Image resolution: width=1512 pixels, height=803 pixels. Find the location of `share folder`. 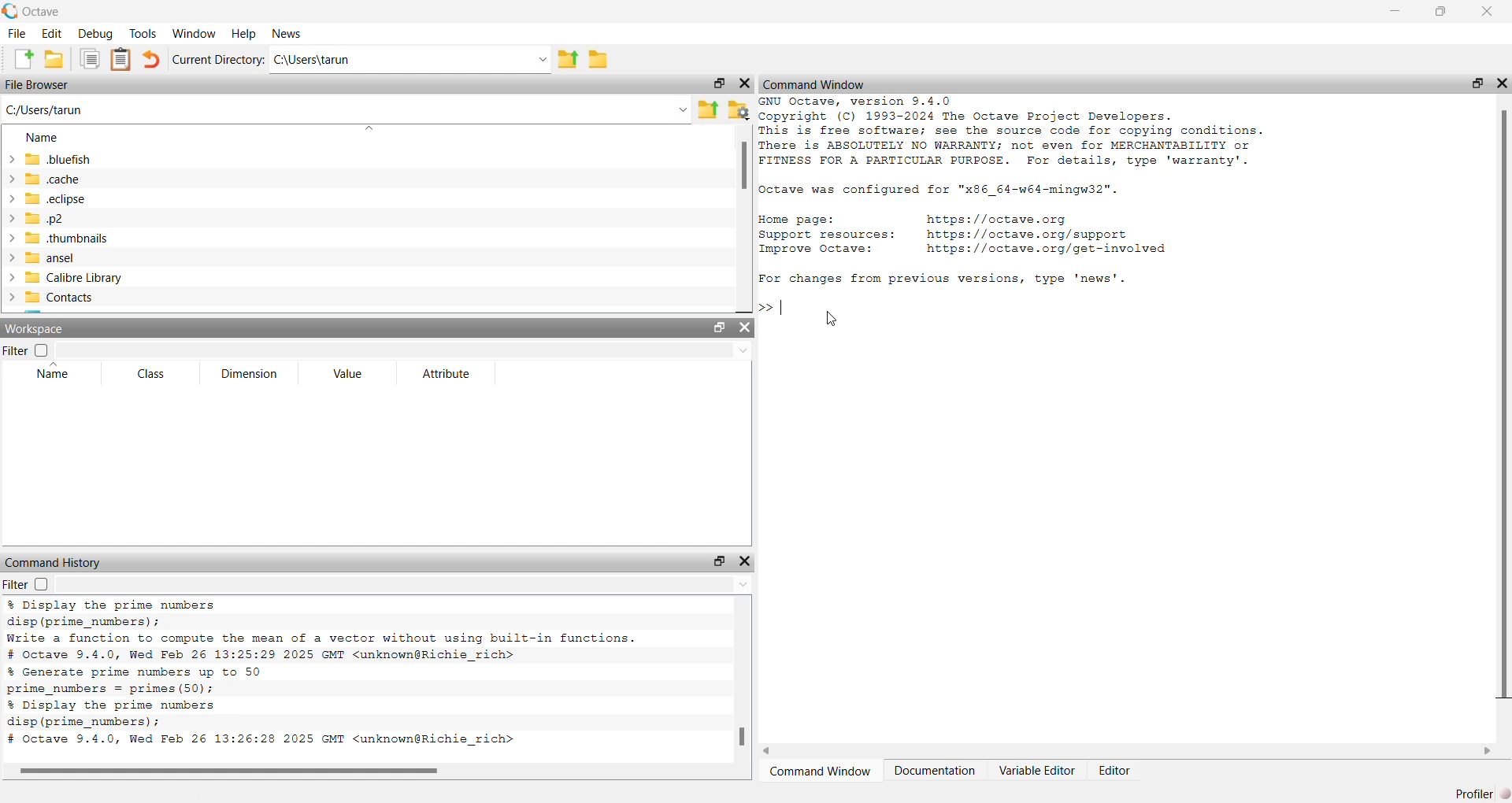

share folder is located at coordinates (708, 110).